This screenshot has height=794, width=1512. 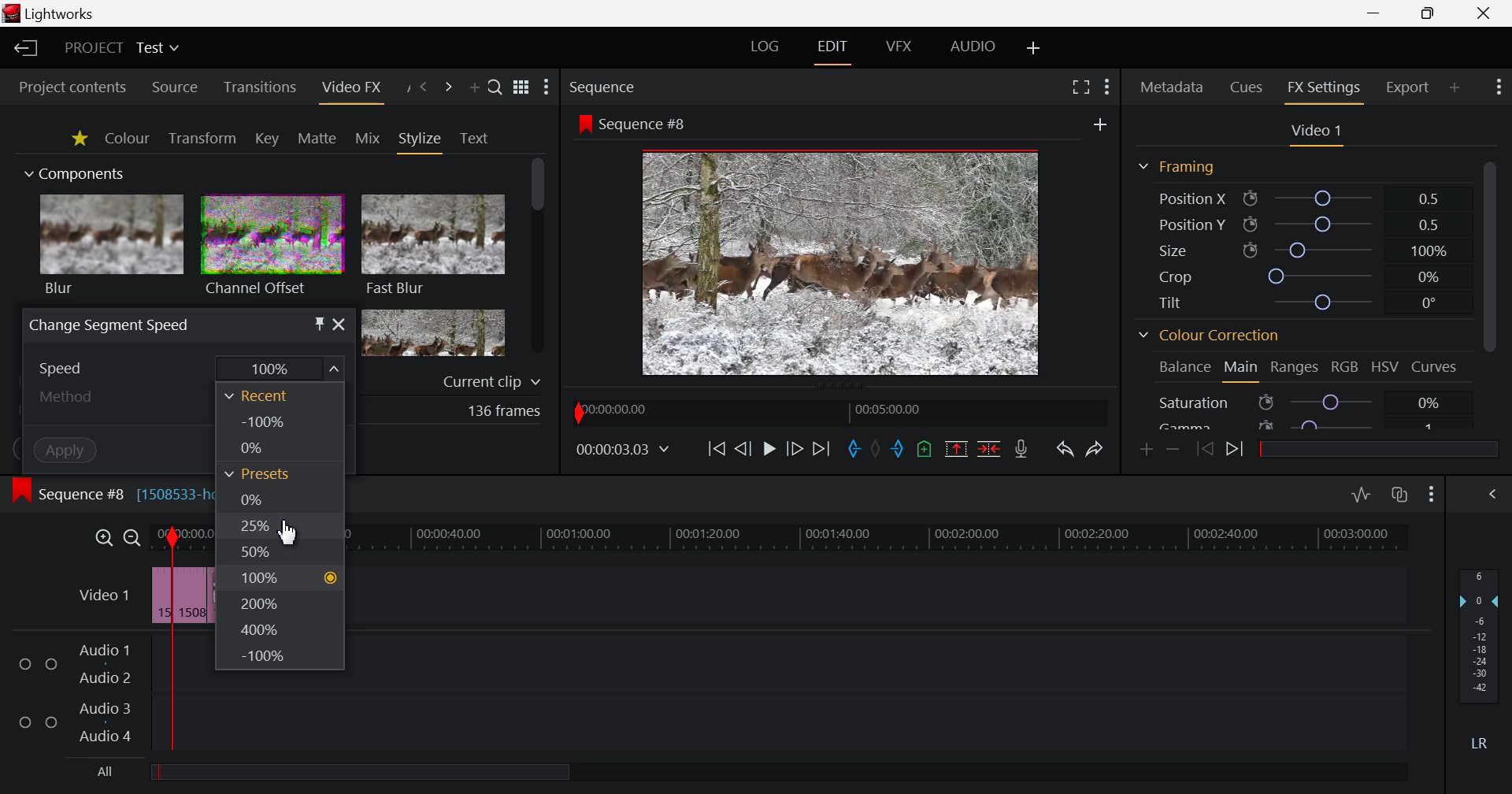 What do you see at coordinates (989, 449) in the screenshot?
I see `Delete/Cut` at bounding box center [989, 449].